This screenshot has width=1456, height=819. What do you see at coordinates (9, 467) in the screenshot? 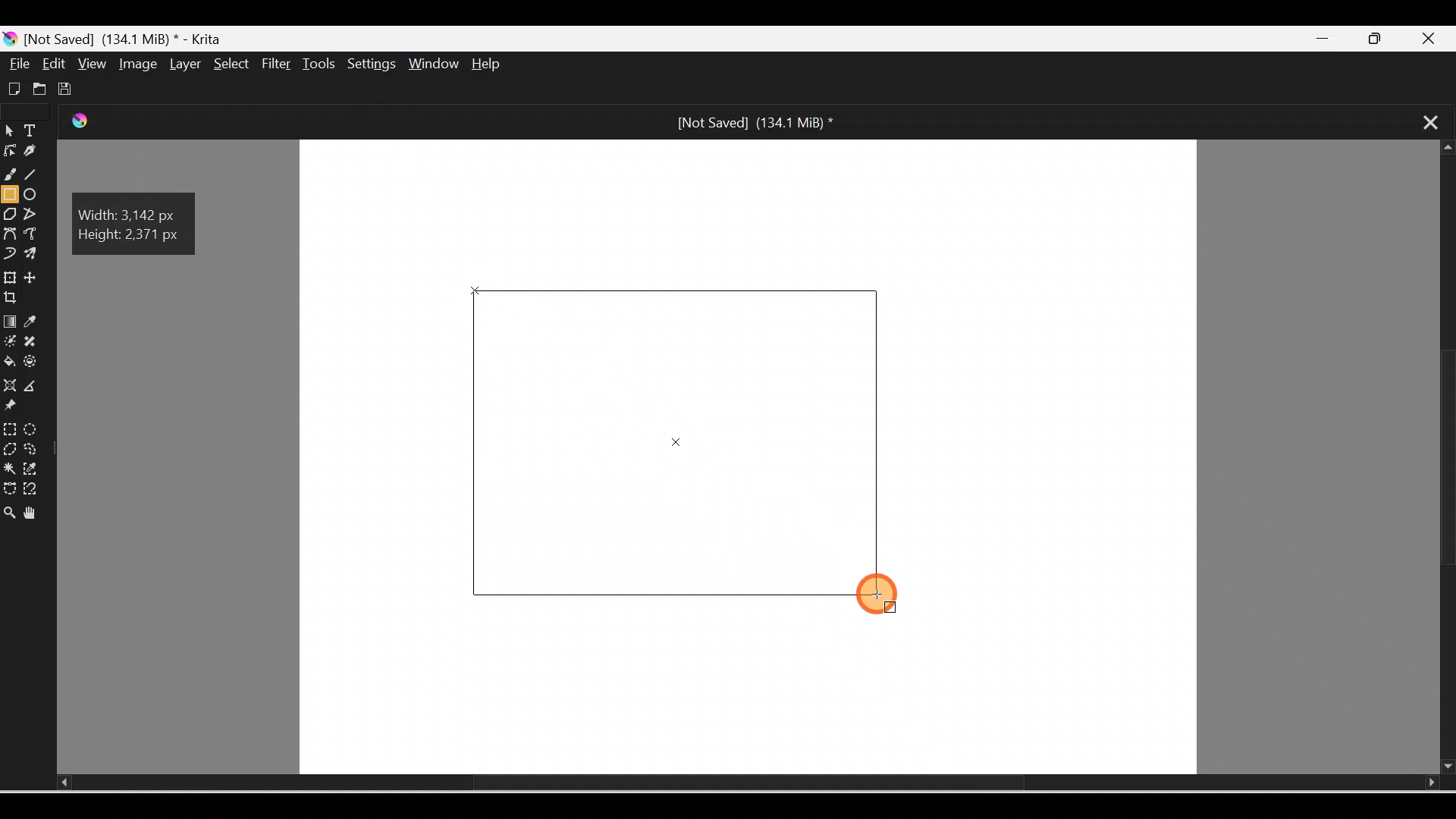
I see `Contiguous selection tool` at bounding box center [9, 467].